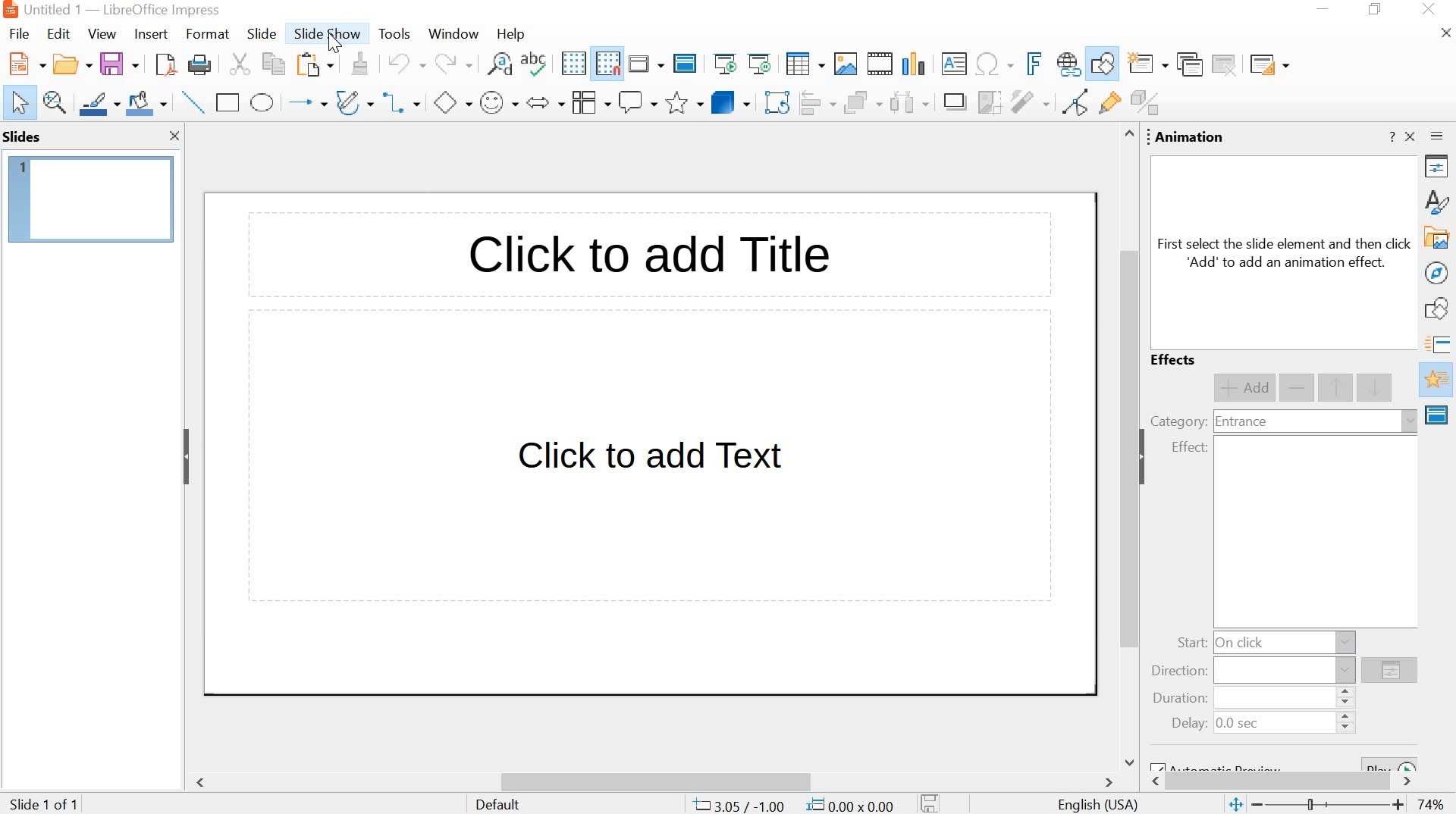 This screenshot has height=814, width=1456. What do you see at coordinates (92, 199) in the screenshot?
I see `slide 1` at bounding box center [92, 199].